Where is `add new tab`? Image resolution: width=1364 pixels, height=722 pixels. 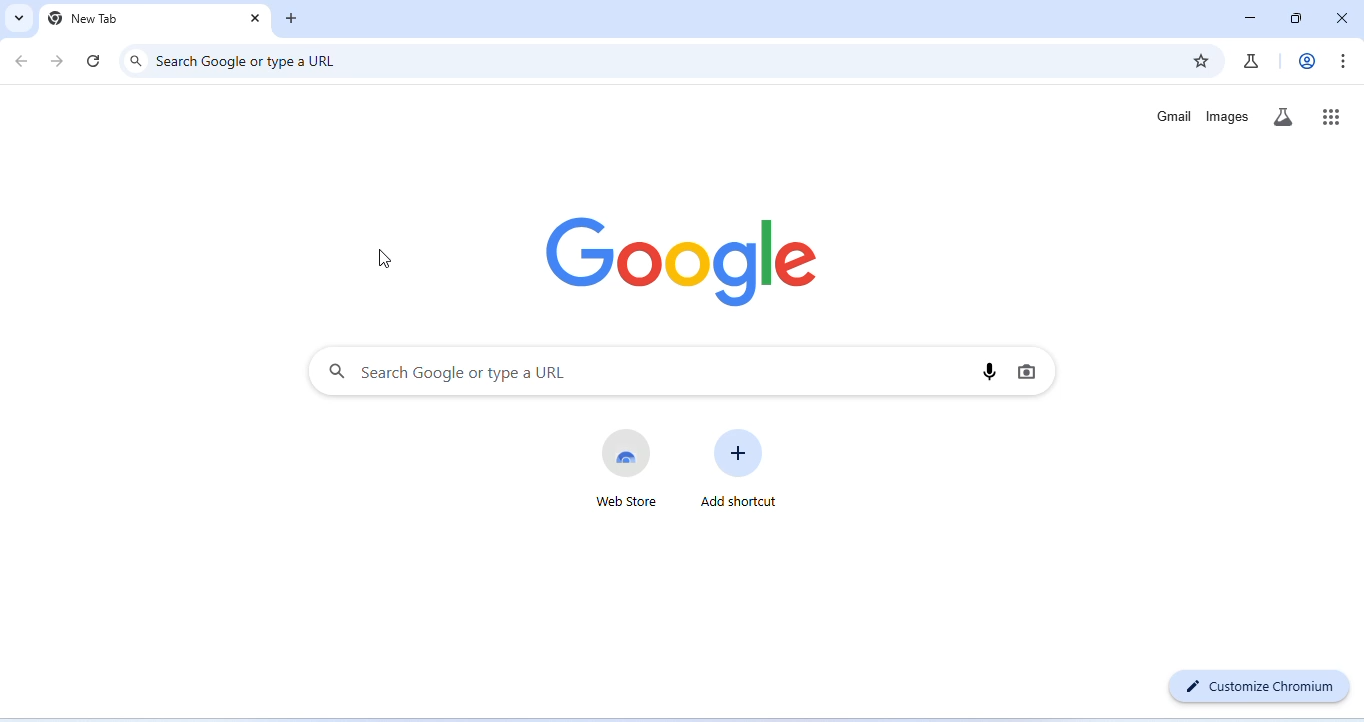 add new tab is located at coordinates (292, 20).